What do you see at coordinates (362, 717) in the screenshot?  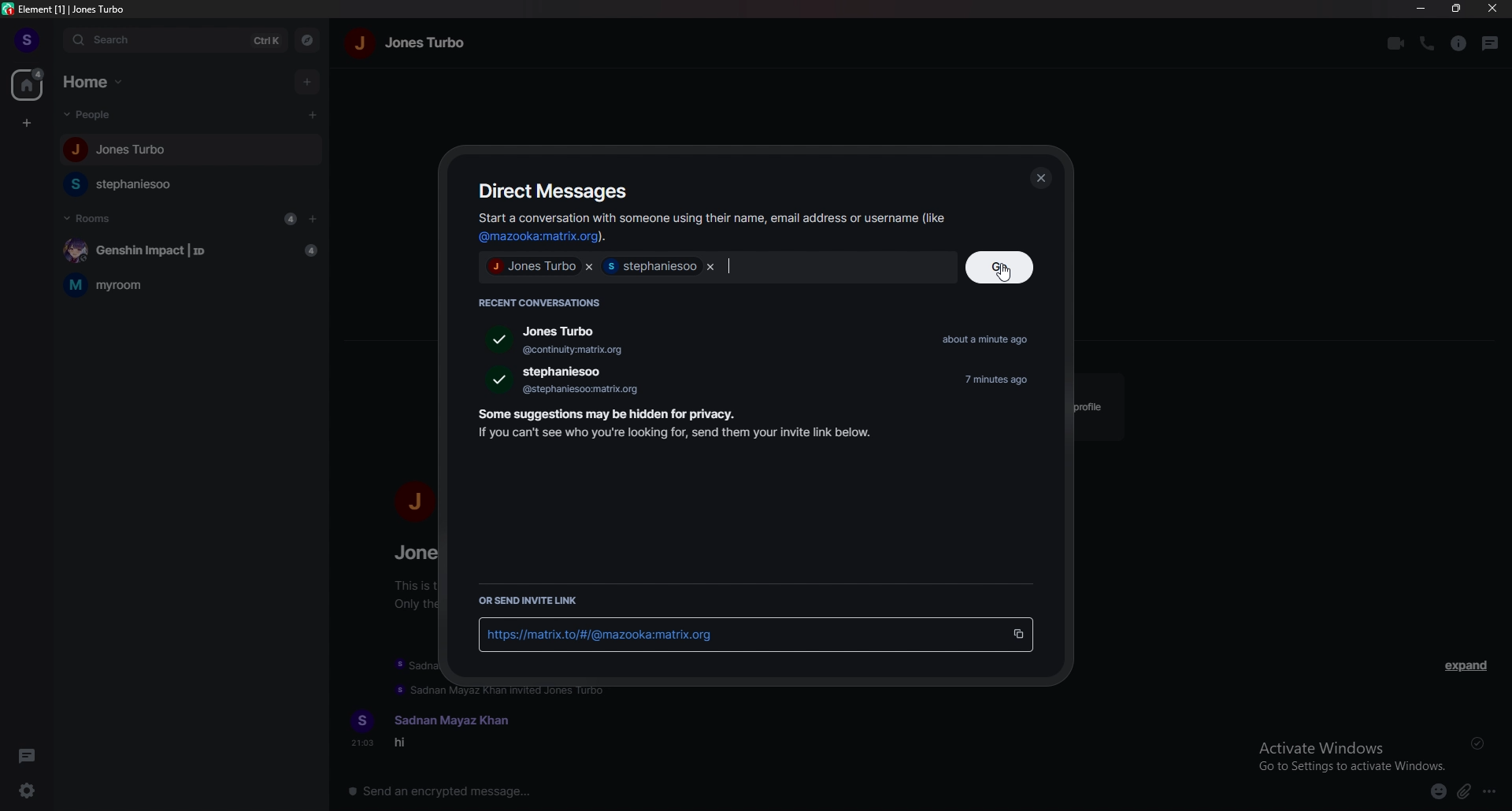 I see `s` at bounding box center [362, 717].